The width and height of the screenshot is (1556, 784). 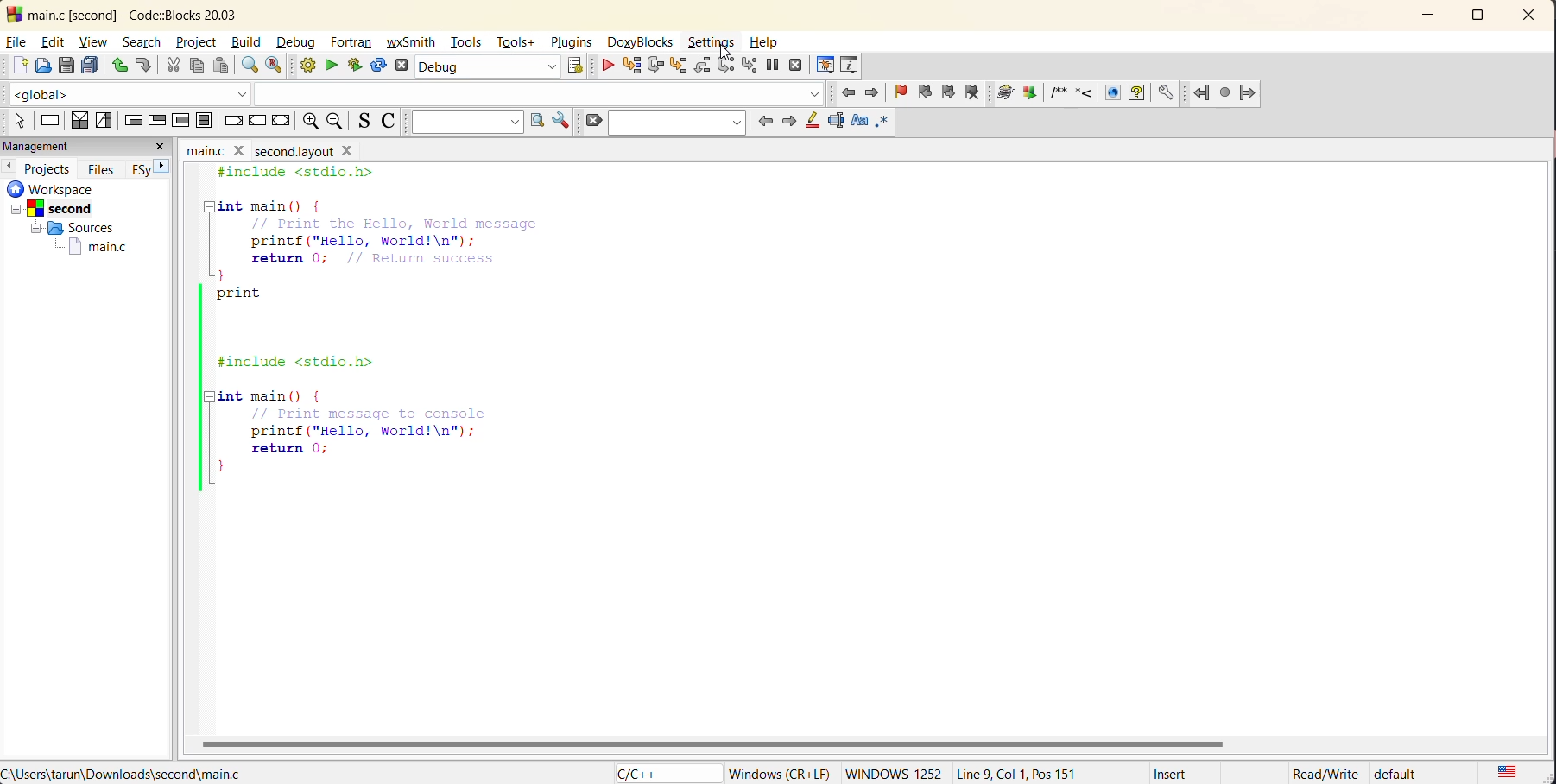 I want to click on zoom in, so click(x=336, y=123).